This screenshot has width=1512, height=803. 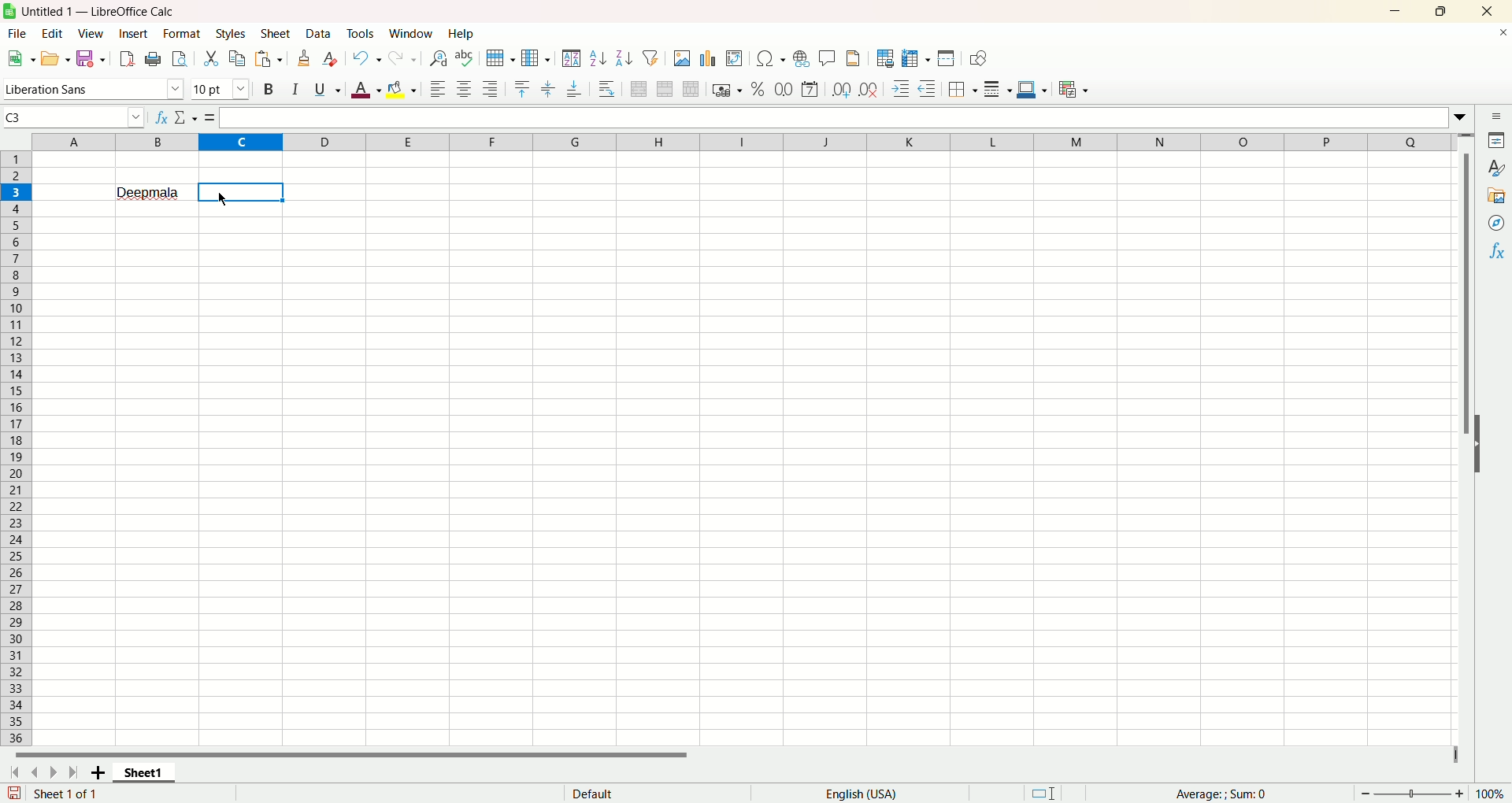 I want to click on Font size, so click(x=224, y=87).